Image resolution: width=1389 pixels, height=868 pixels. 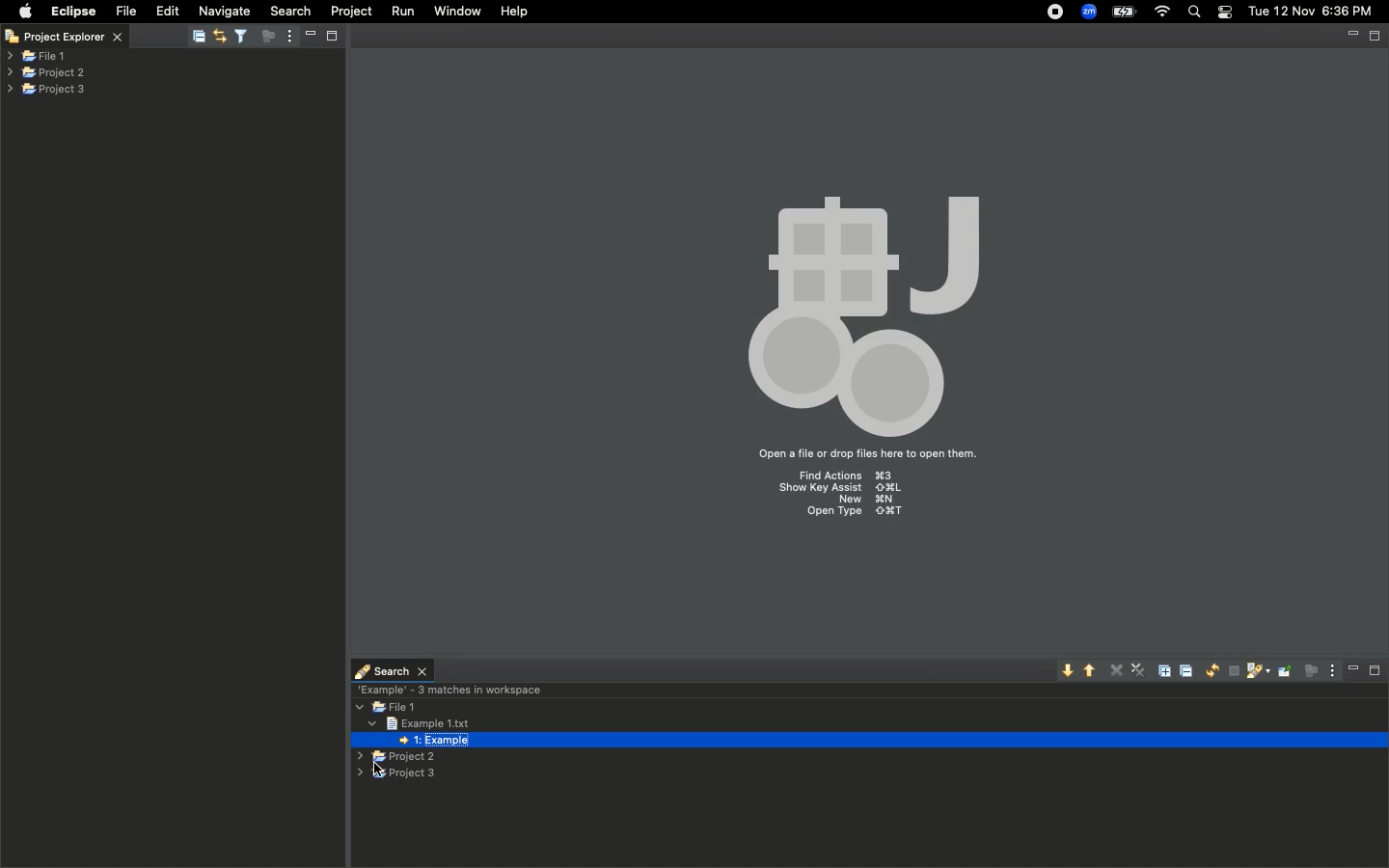 I want to click on File 1, so click(x=37, y=57).